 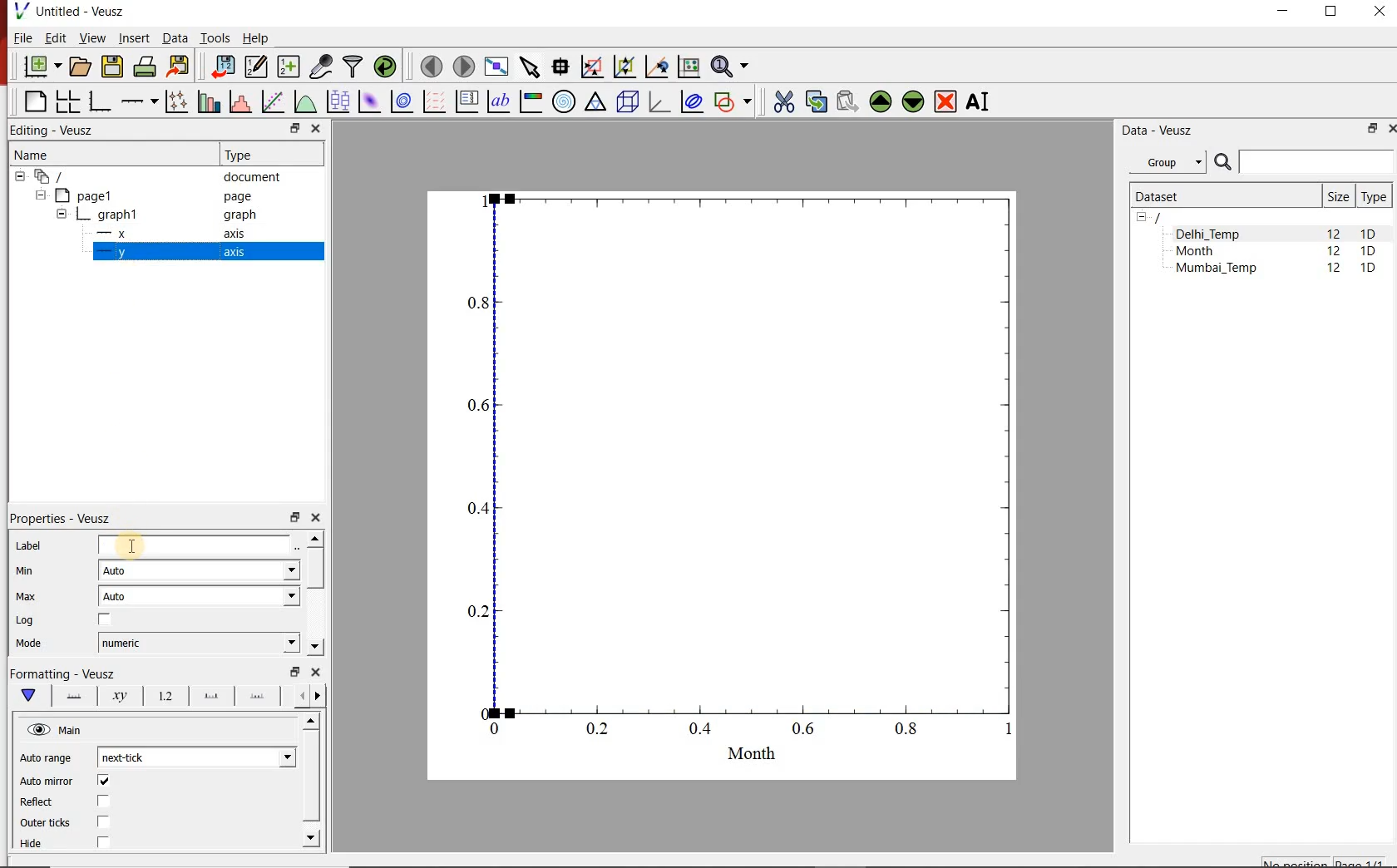 I want to click on save the document, so click(x=111, y=67).